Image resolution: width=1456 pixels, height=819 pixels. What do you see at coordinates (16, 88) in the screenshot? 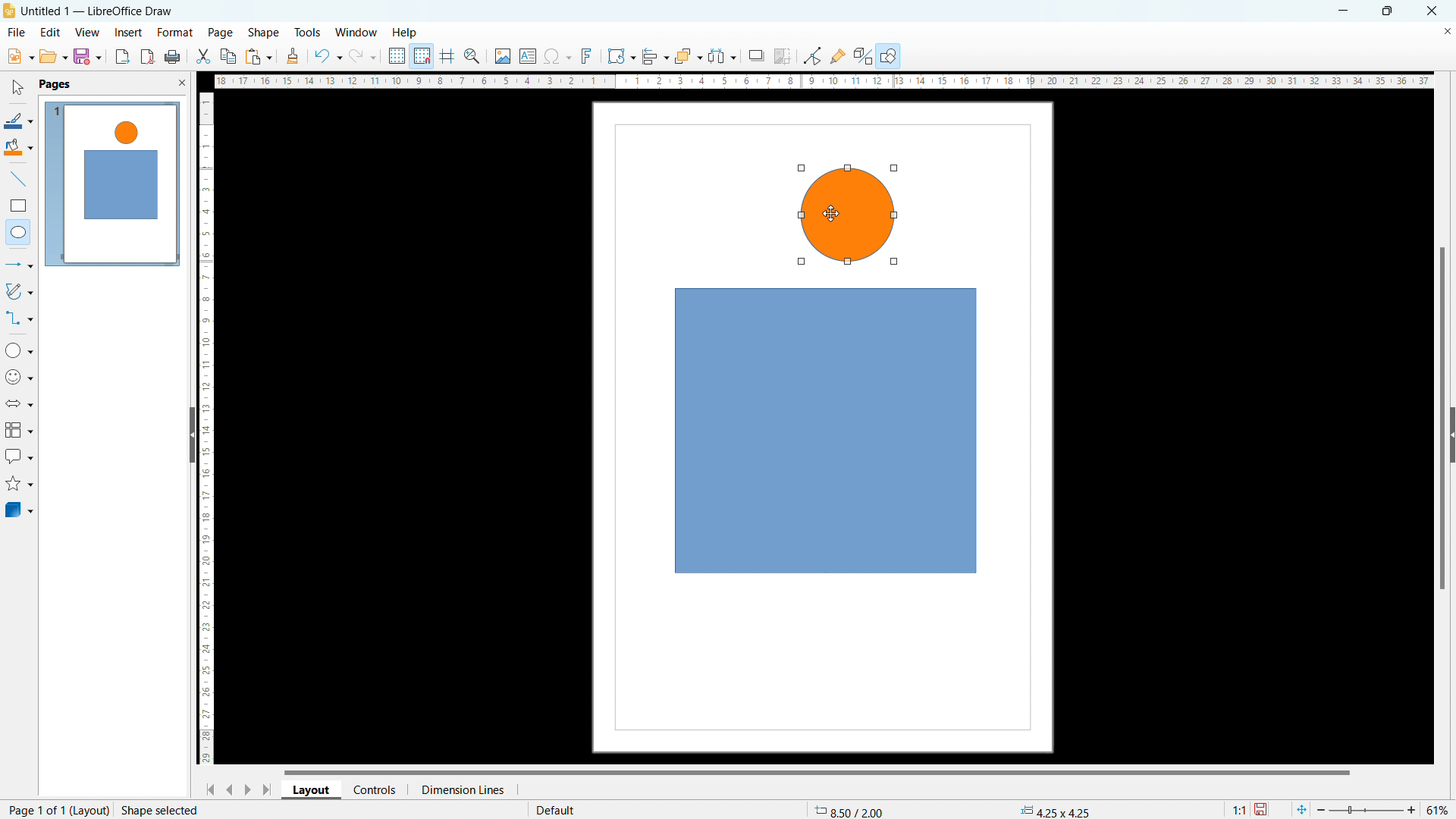
I see `select` at bounding box center [16, 88].